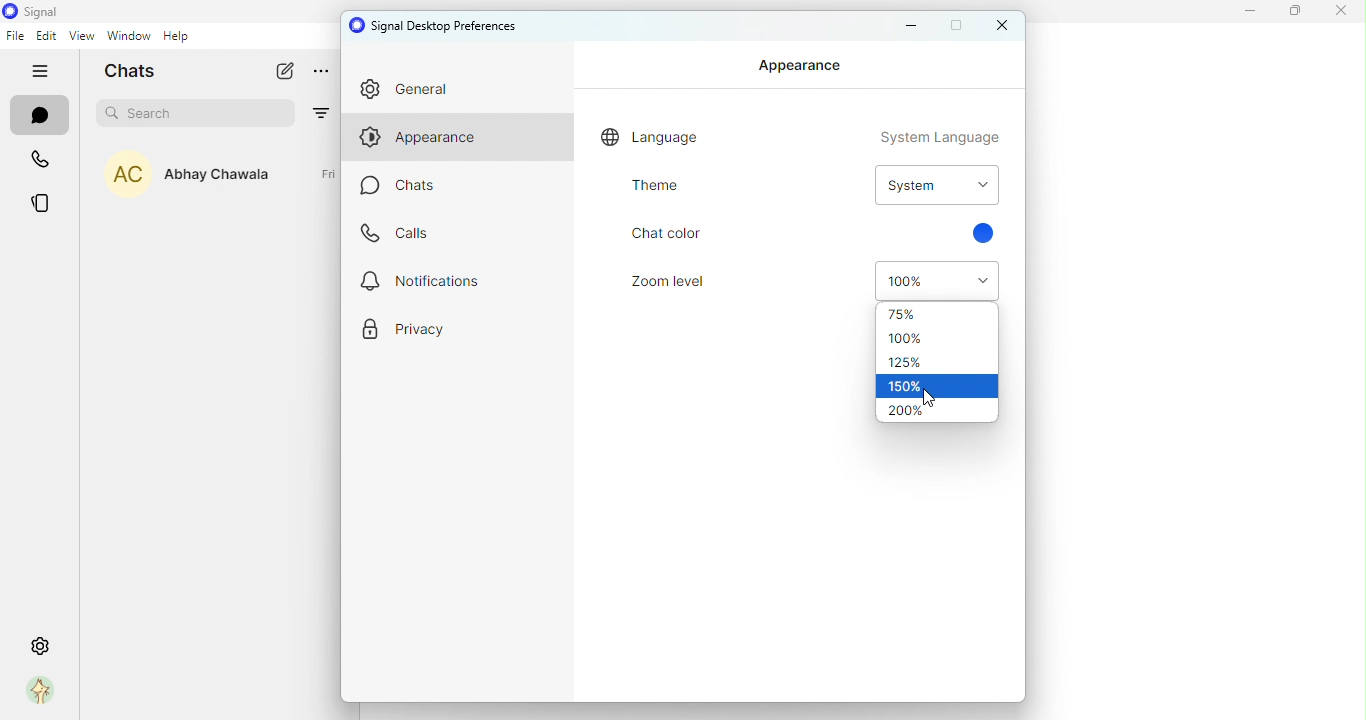 The image size is (1366, 720). Describe the element at coordinates (913, 26) in the screenshot. I see `minimize` at that location.